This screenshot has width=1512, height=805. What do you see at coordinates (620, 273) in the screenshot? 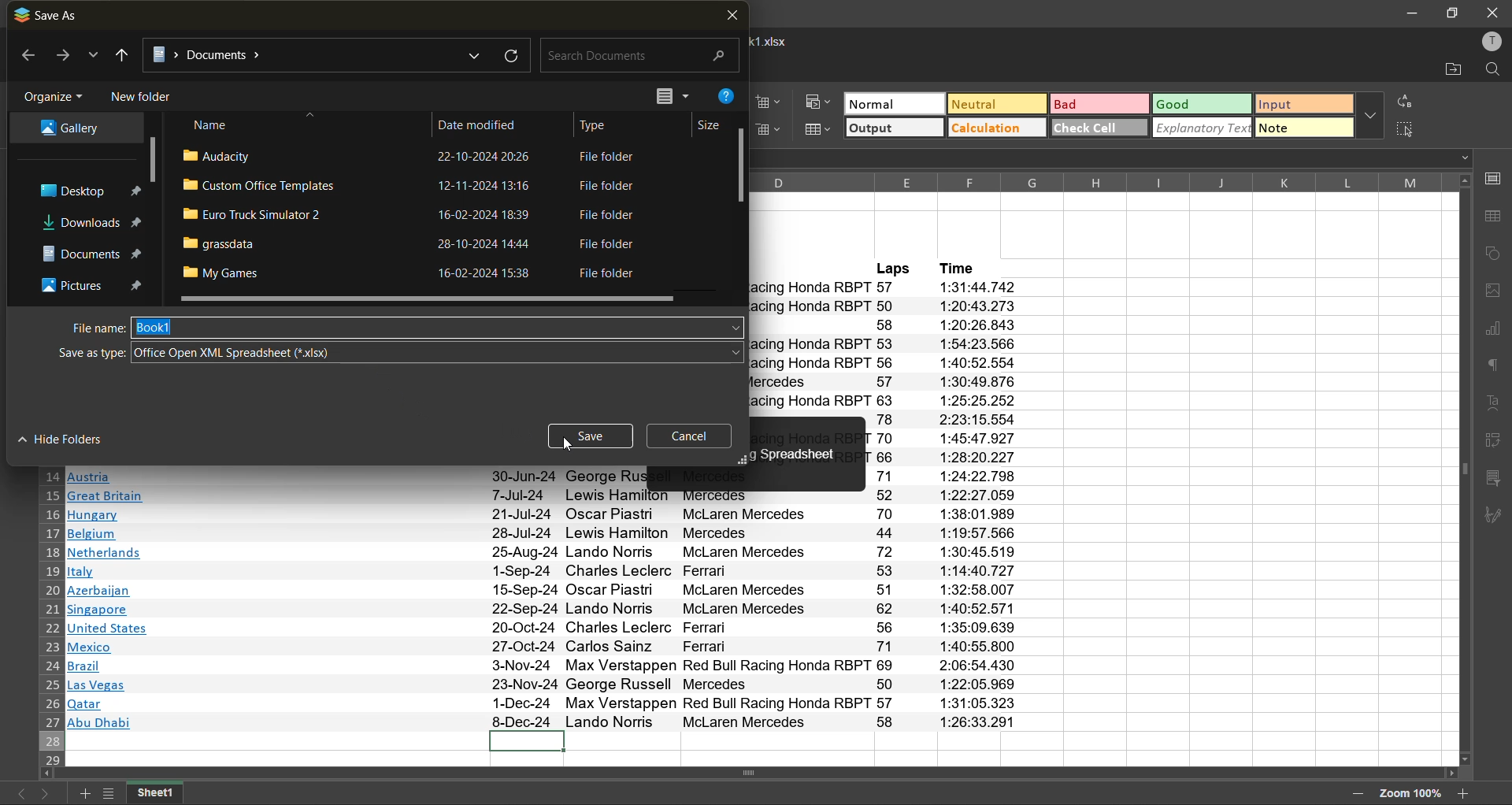
I see `file folder` at bounding box center [620, 273].